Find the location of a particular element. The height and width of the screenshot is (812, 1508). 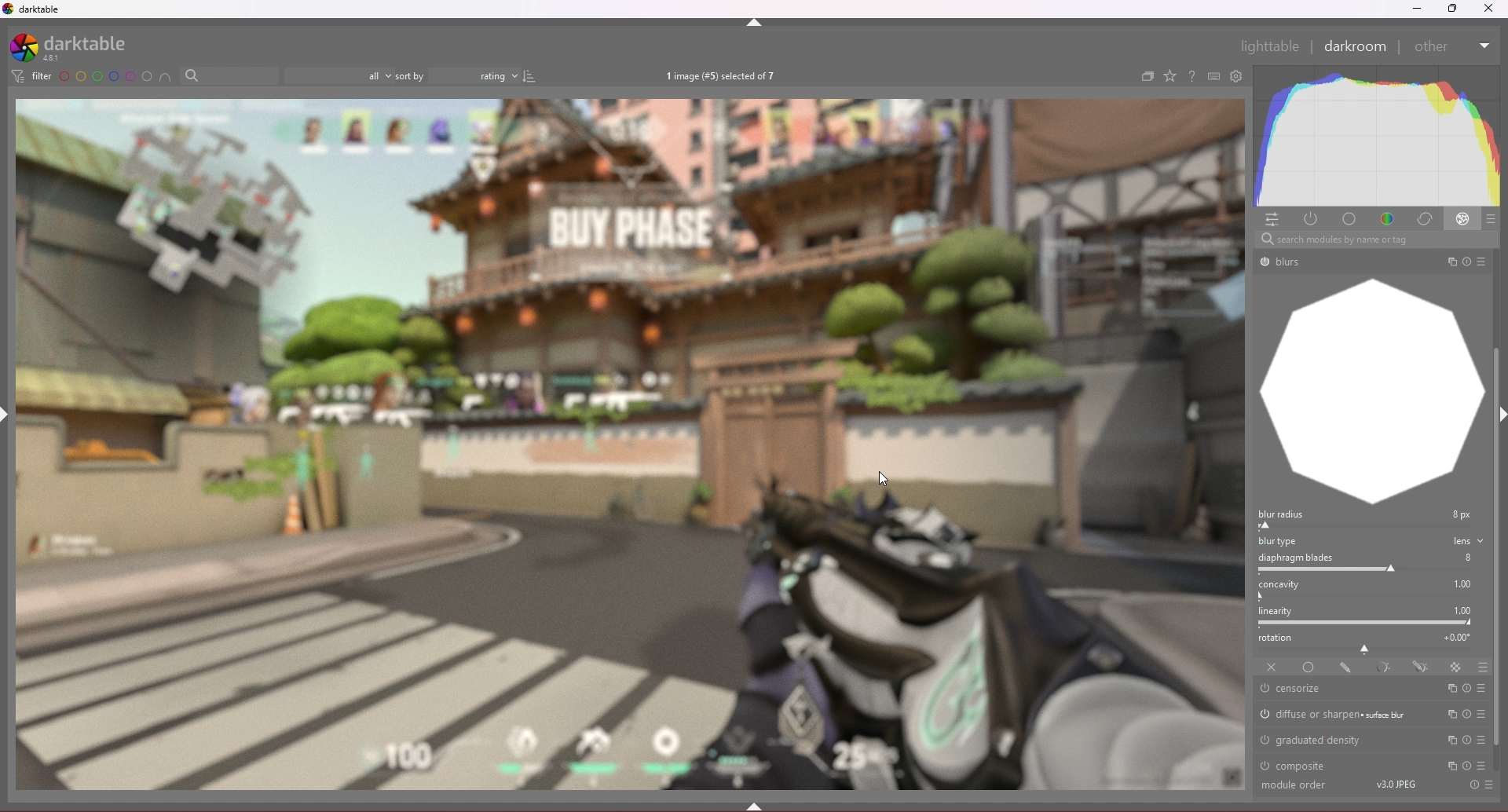

linearity is located at coordinates (1371, 616).